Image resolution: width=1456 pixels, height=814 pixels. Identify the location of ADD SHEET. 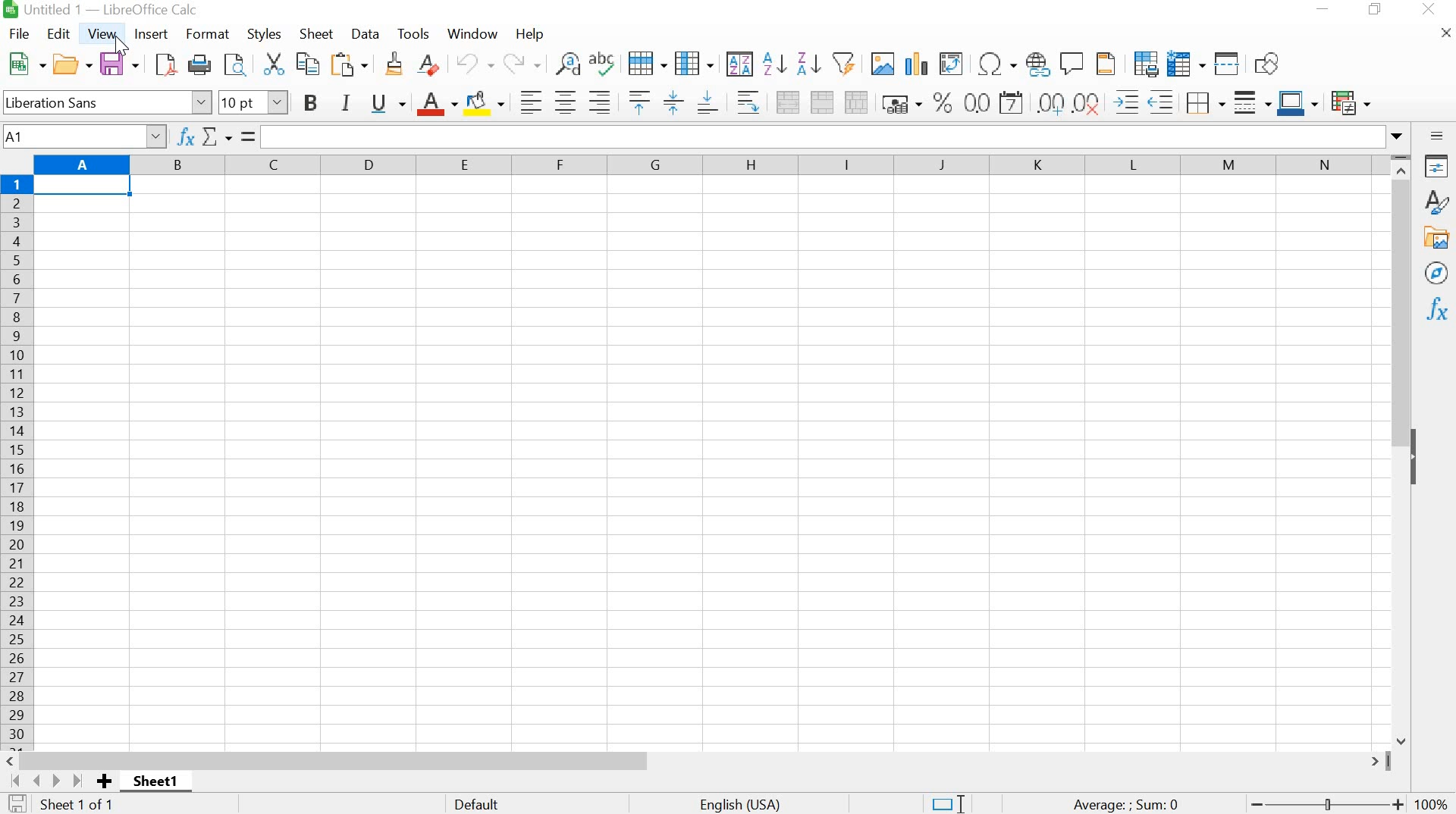
(105, 782).